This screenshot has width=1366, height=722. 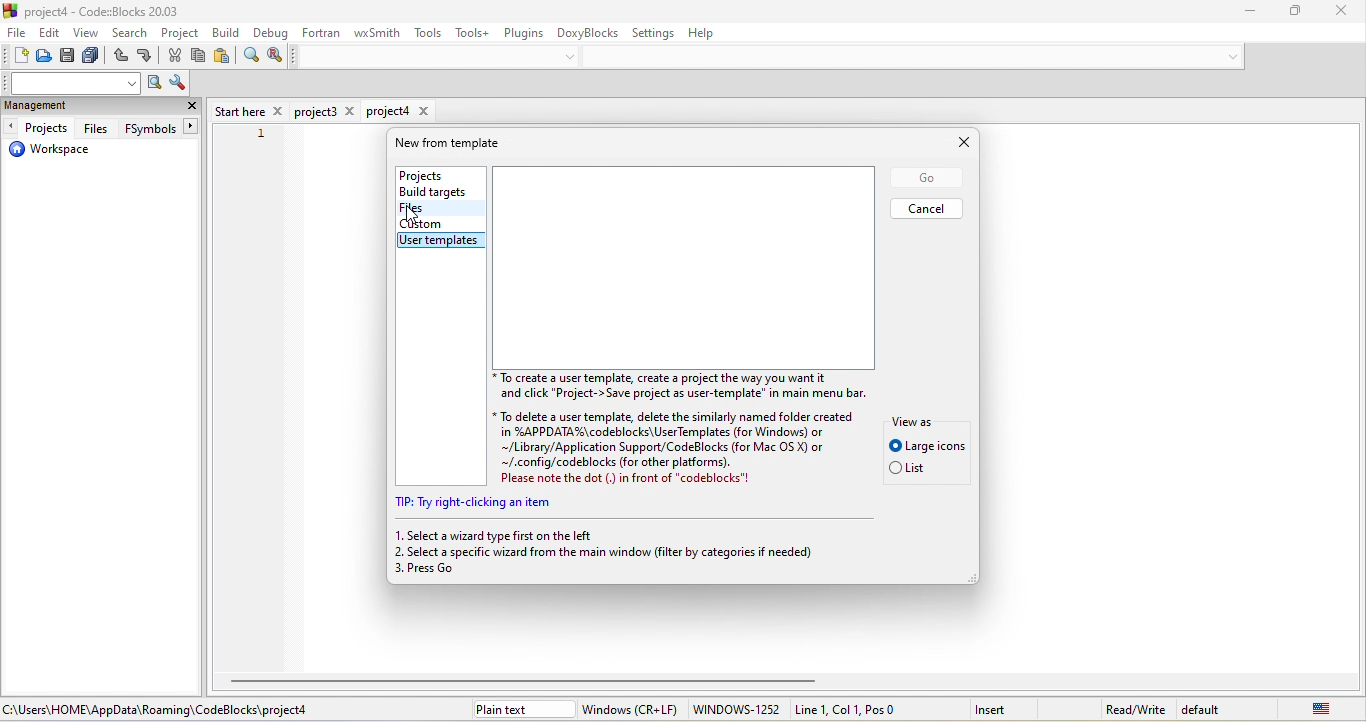 I want to click on save, so click(x=70, y=58).